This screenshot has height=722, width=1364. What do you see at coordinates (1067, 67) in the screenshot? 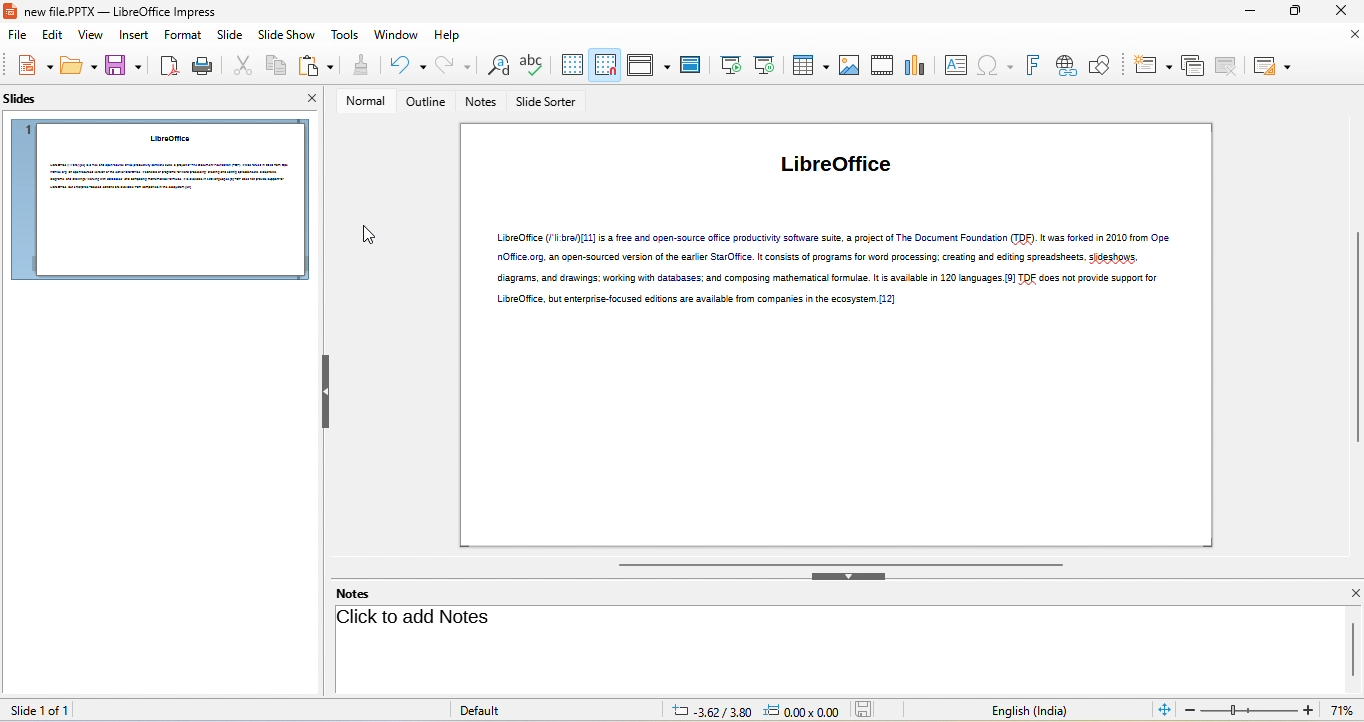
I see `hyperlink` at bounding box center [1067, 67].